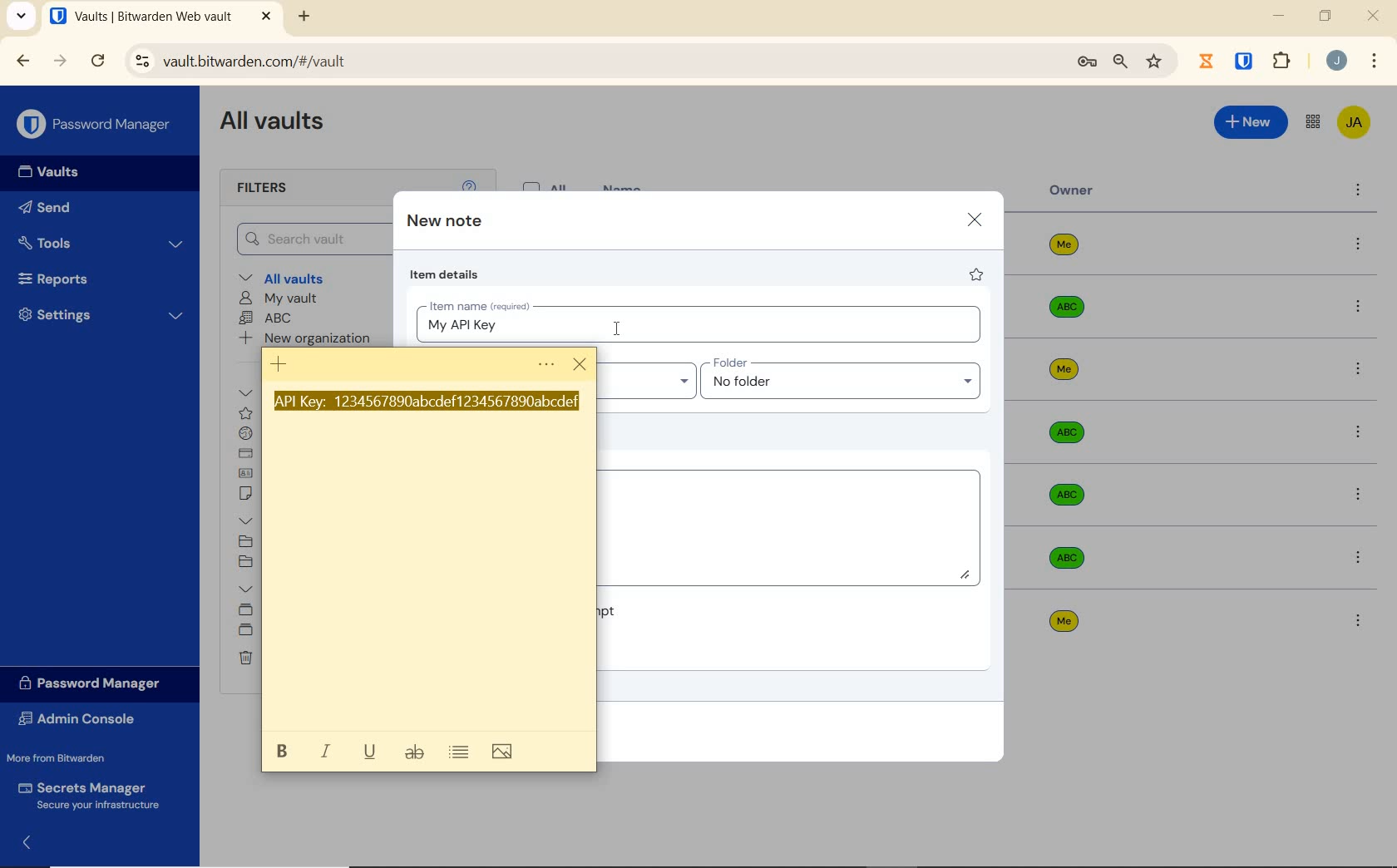 The height and width of the screenshot is (868, 1397). I want to click on All Vaults, so click(279, 126).